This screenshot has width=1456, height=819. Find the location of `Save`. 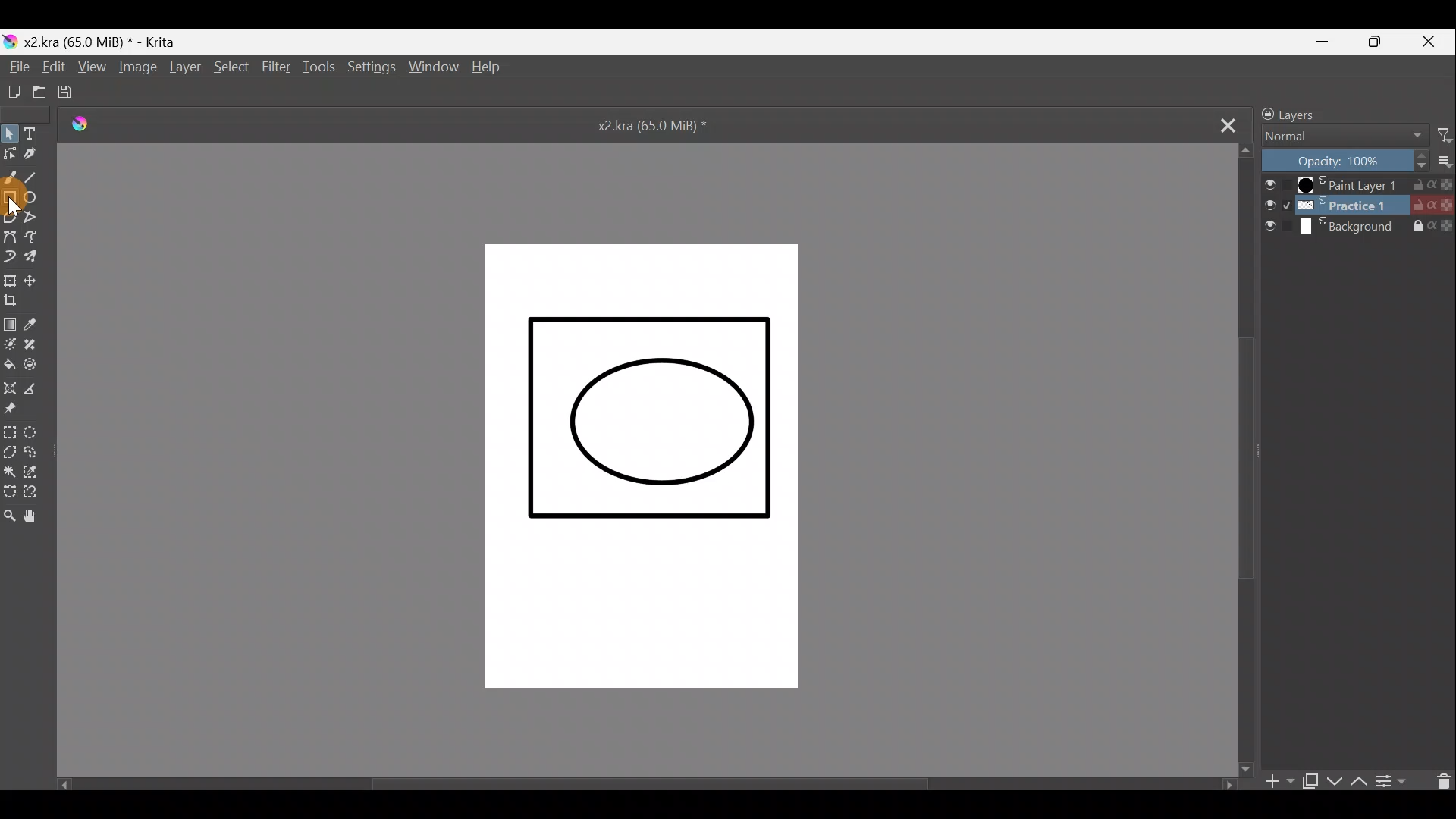

Save is located at coordinates (71, 93).